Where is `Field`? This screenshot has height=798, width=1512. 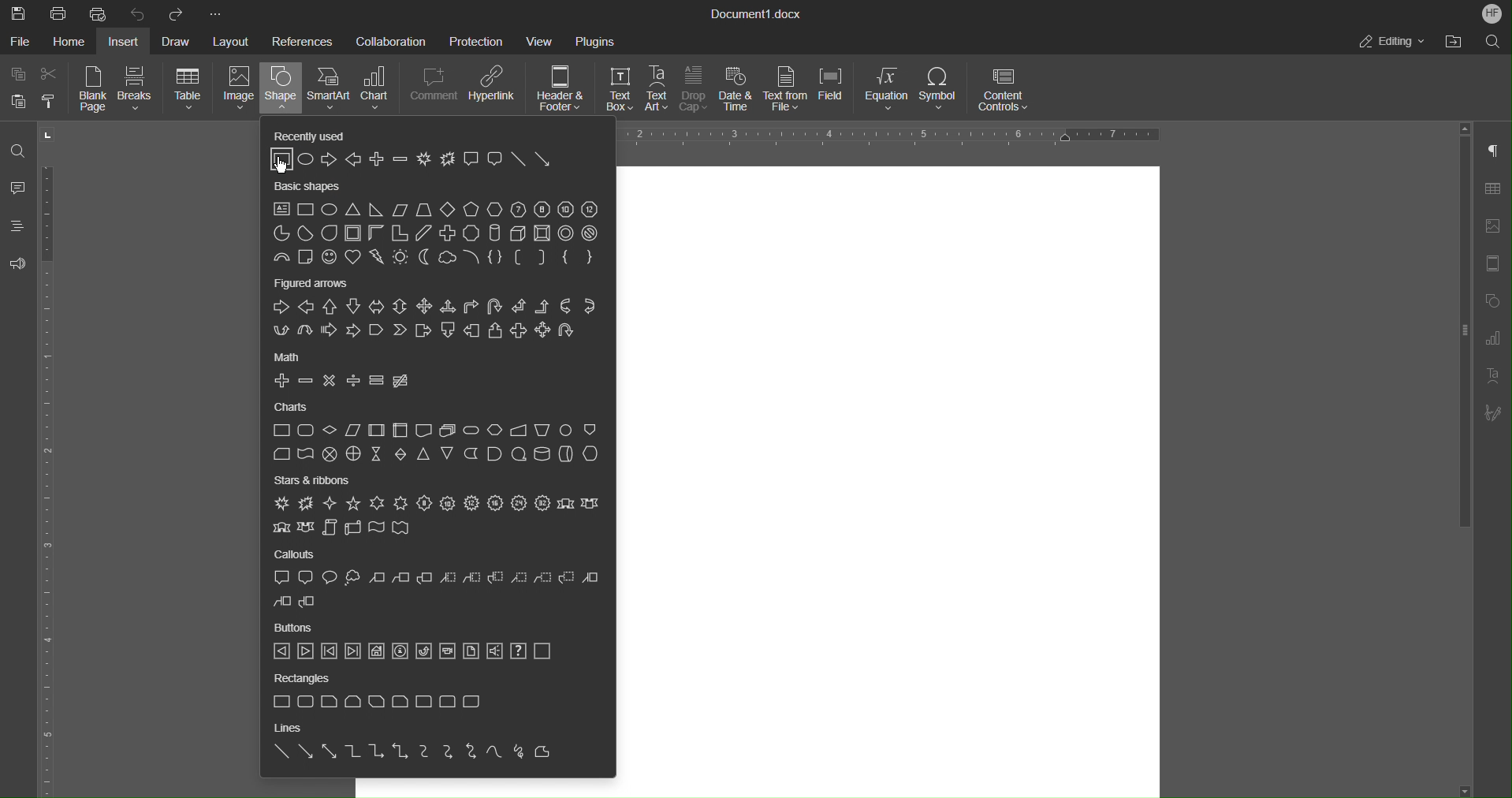
Field is located at coordinates (836, 91).